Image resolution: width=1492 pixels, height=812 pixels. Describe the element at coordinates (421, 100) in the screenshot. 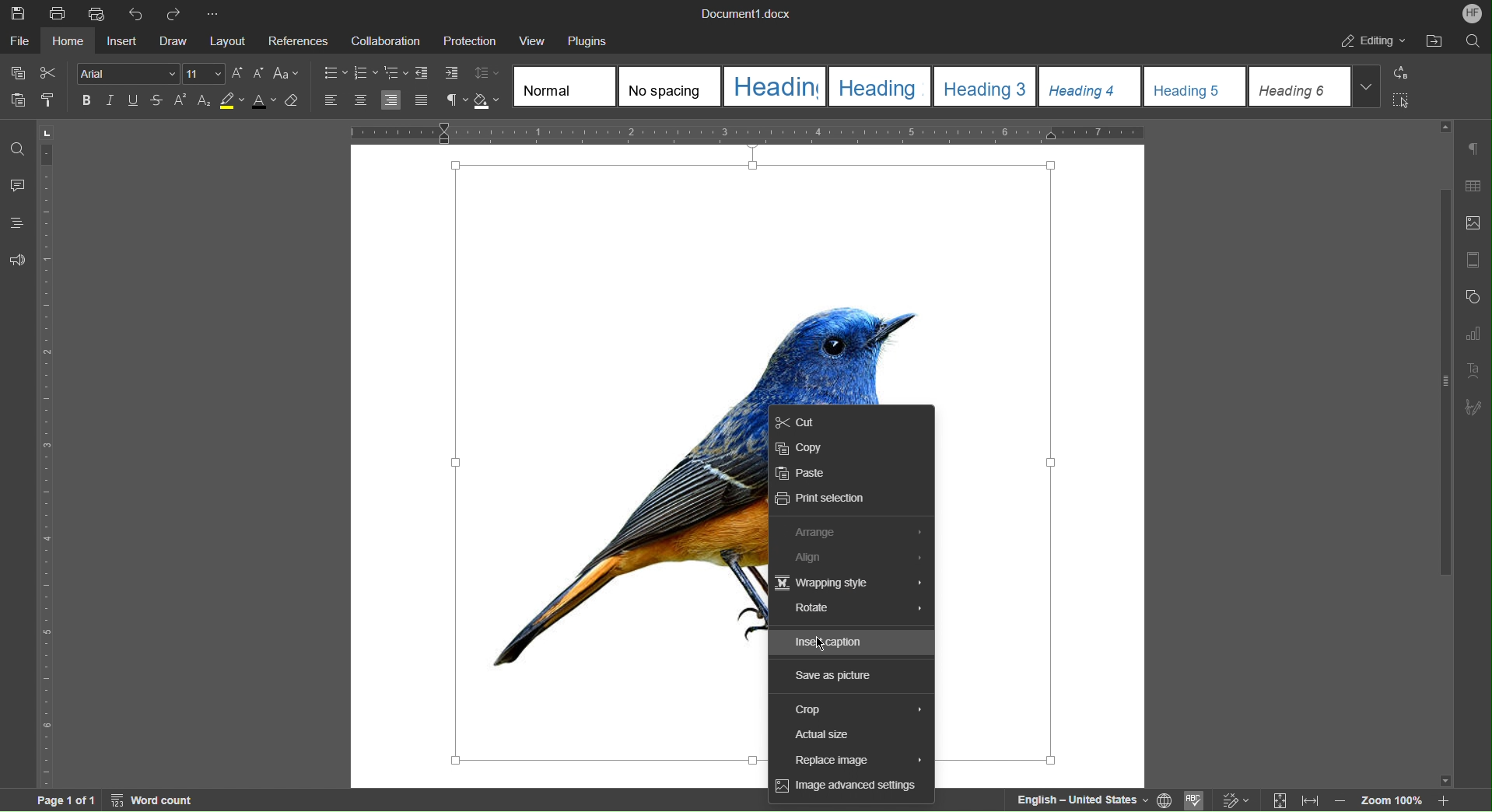

I see `Justify` at that location.